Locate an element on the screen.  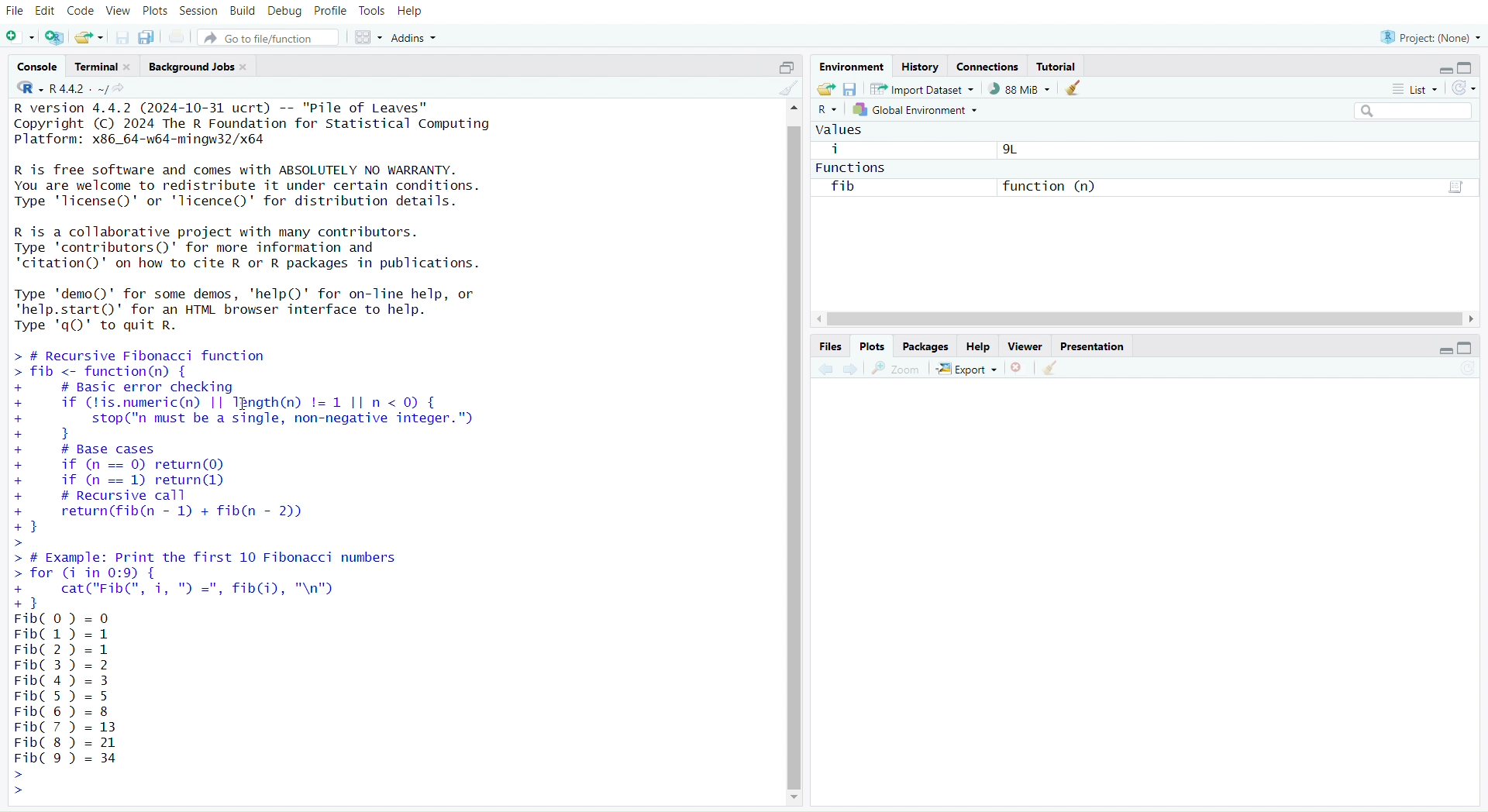
global environment is located at coordinates (917, 109).